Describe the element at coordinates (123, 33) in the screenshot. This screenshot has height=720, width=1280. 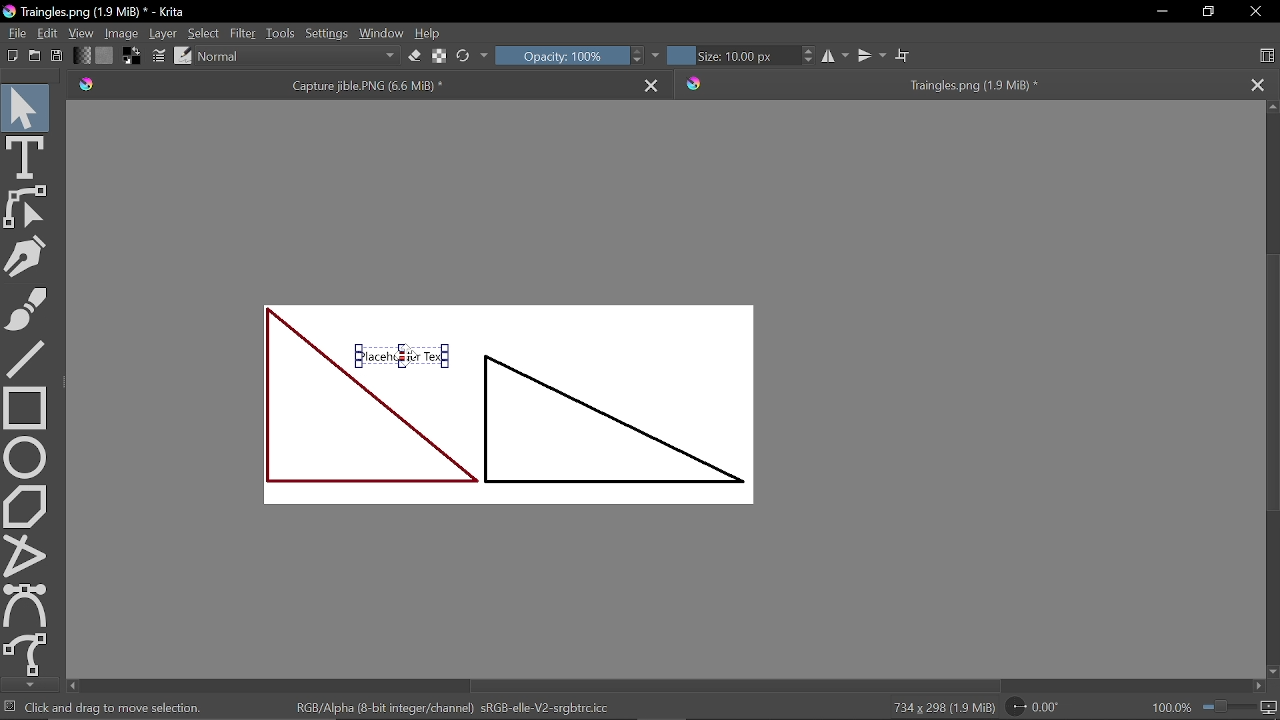
I see `Image` at that location.